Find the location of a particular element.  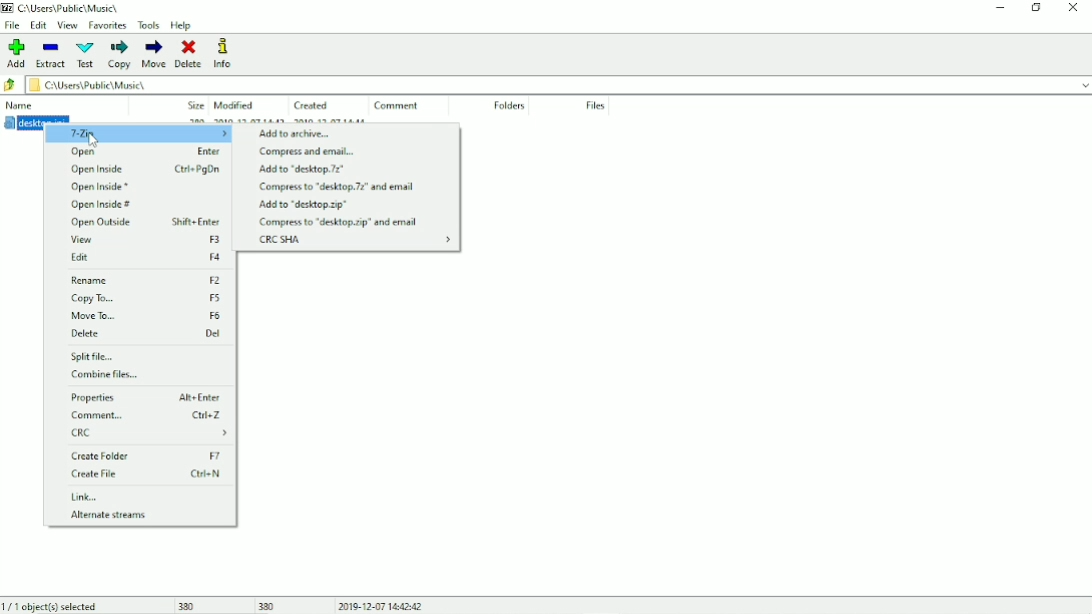

Properties is located at coordinates (148, 398).